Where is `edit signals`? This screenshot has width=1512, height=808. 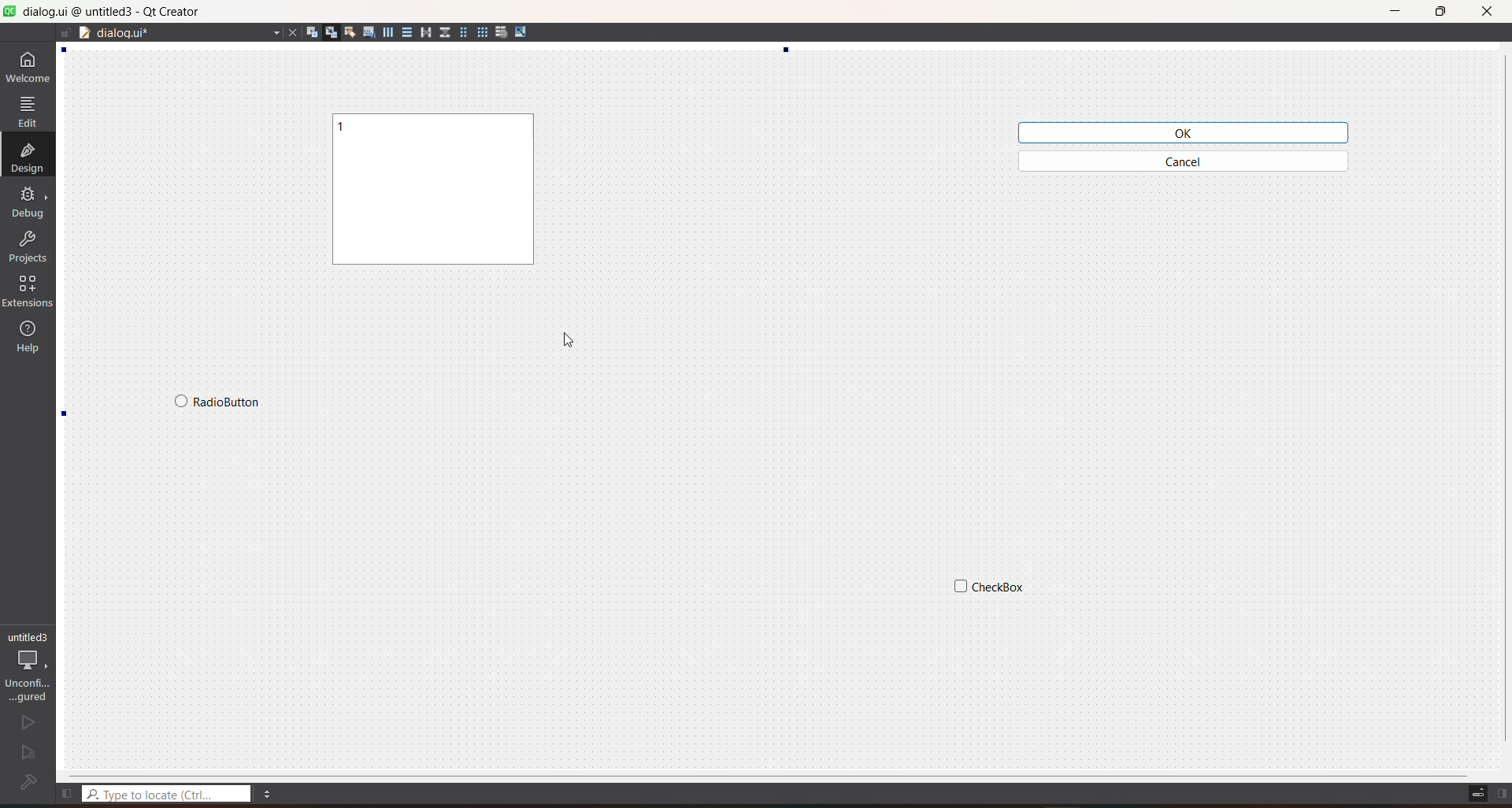
edit signals is located at coordinates (331, 32).